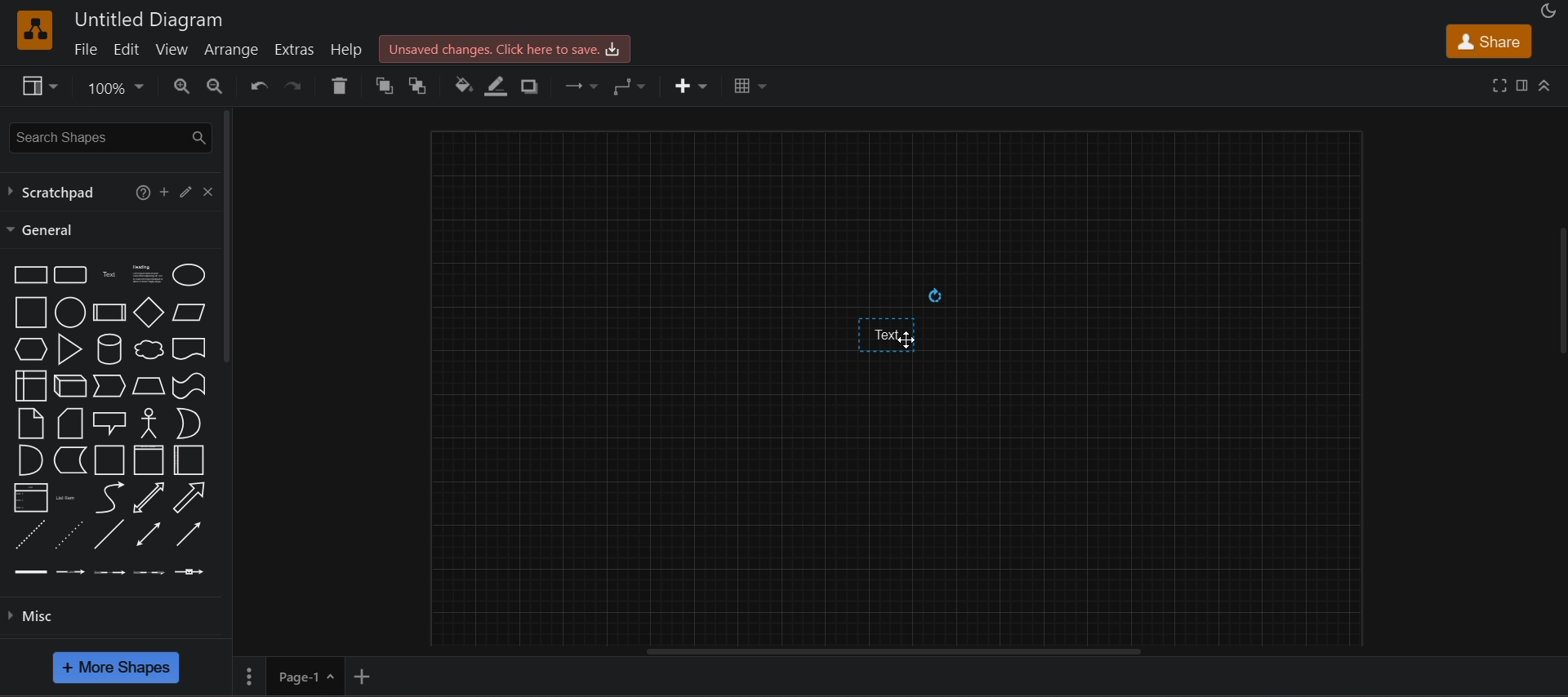 The width and height of the screenshot is (1568, 697). I want to click on delete, so click(340, 87).